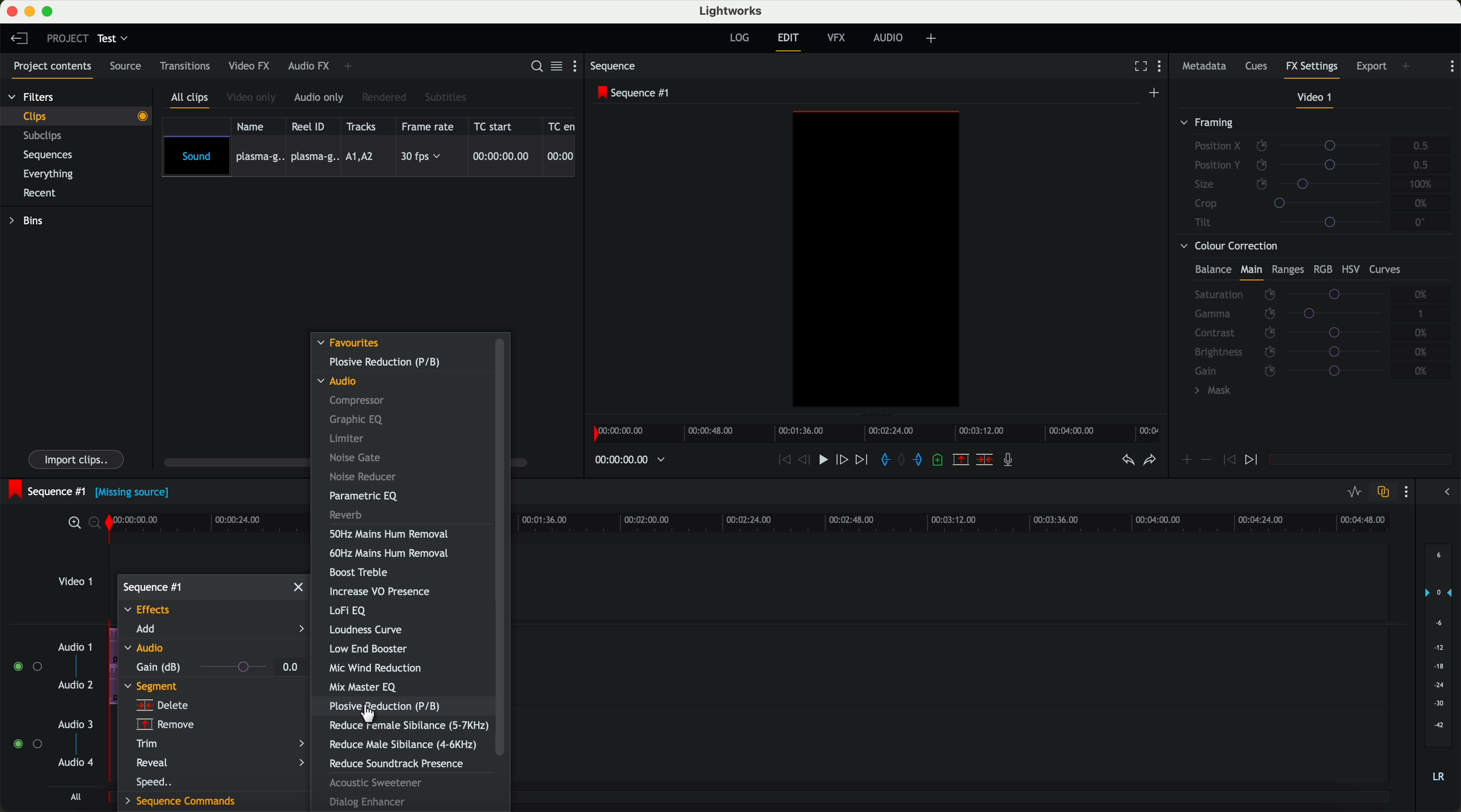  Describe the element at coordinates (1204, 67) in the screenshot. I see `metadata` at that location.